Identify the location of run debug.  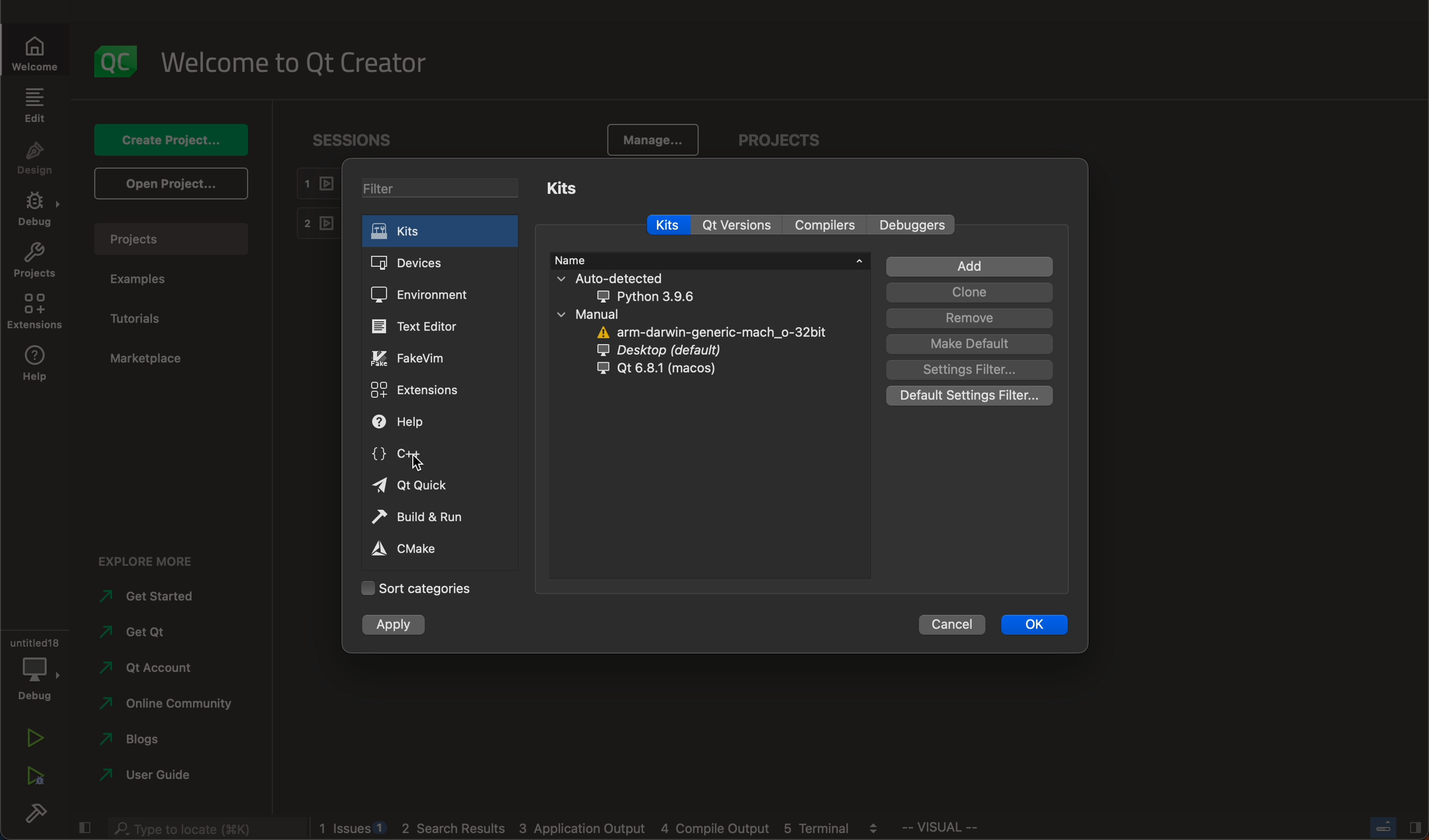
(34, 773).